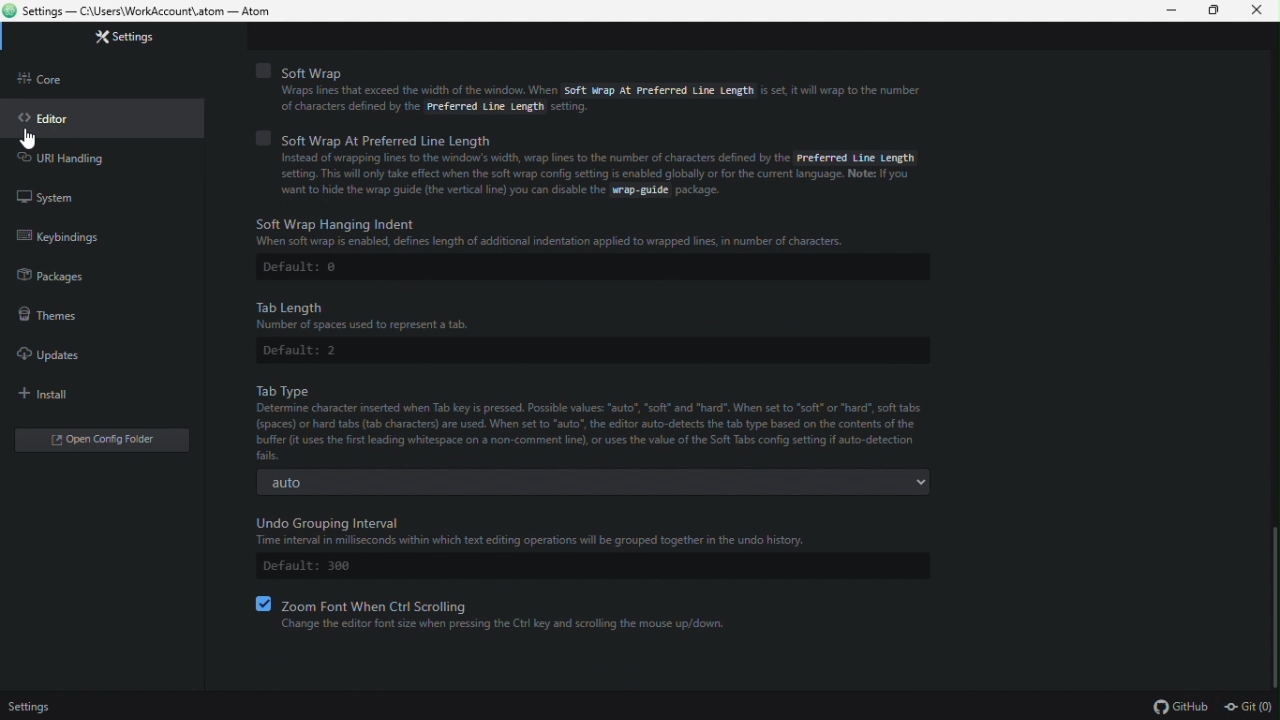  What do you see at coordinates (588, 315) in the screenshot?
I see `Tab Length
Number of spaces used to represent a tab.` at bounding box center [588, 315].